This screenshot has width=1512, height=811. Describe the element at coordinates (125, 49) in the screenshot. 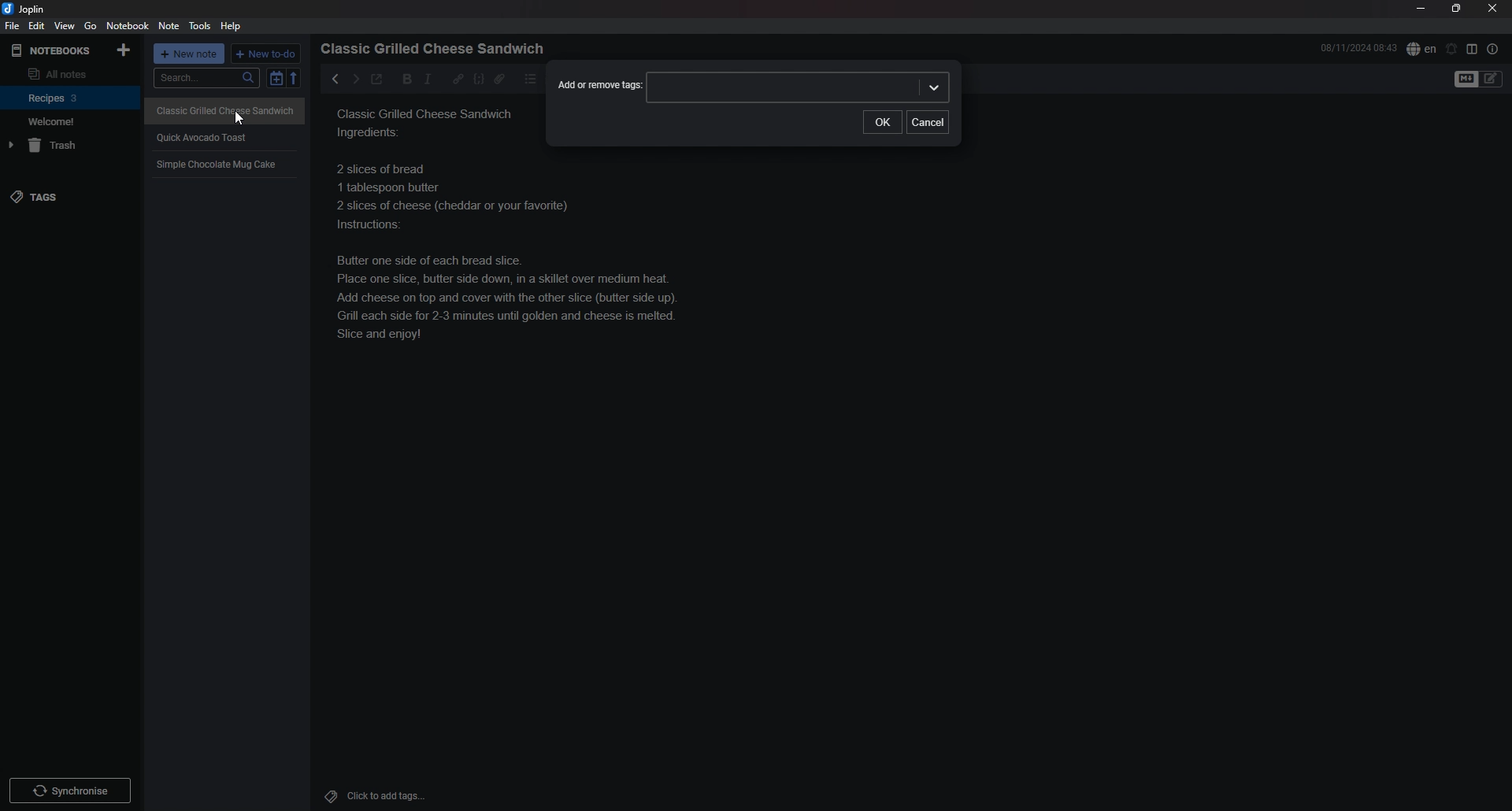

I see `add notebook` at that location.